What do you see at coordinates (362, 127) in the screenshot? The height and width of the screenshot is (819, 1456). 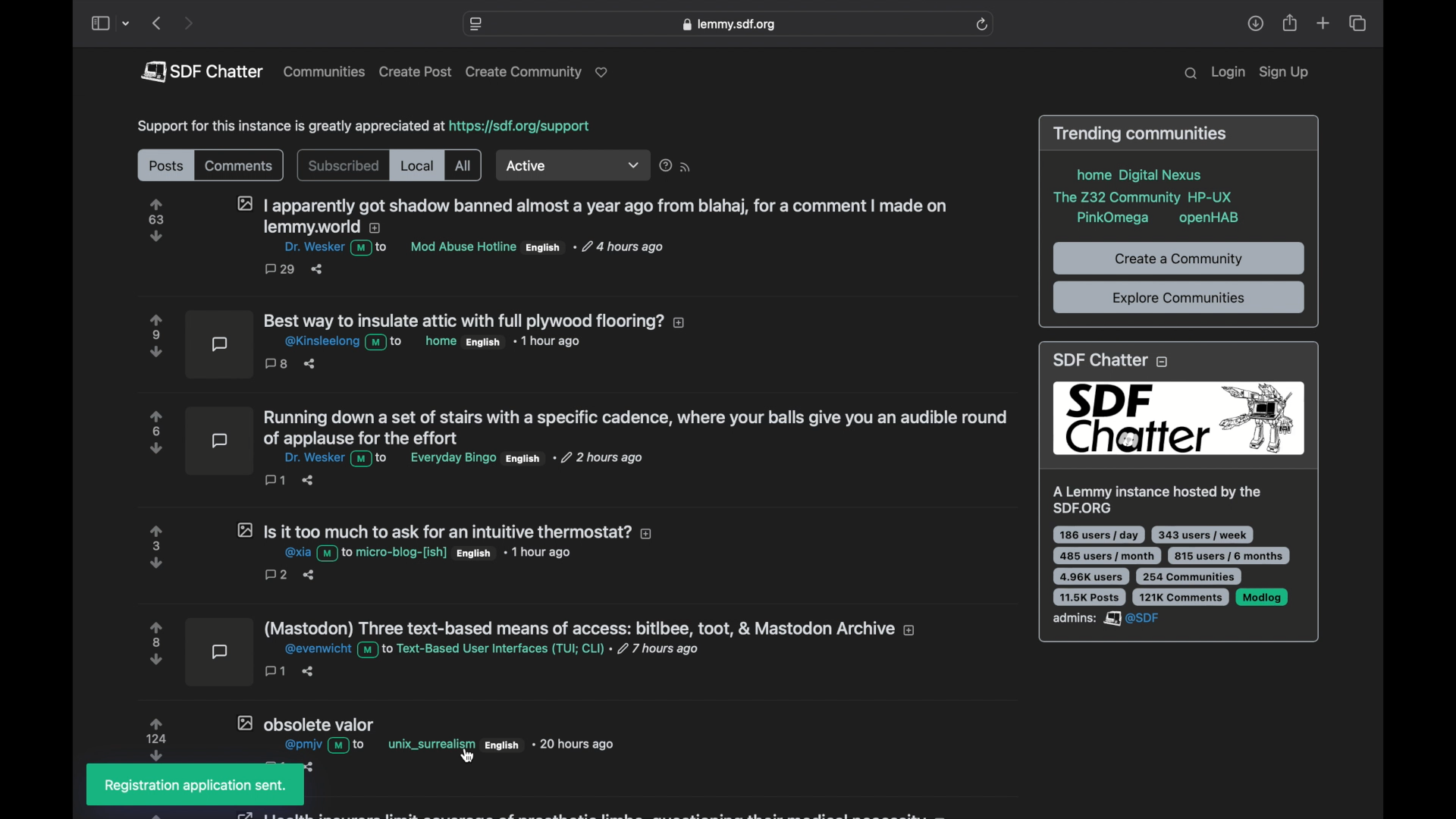 I see `info` at bounding box center [362, 127].